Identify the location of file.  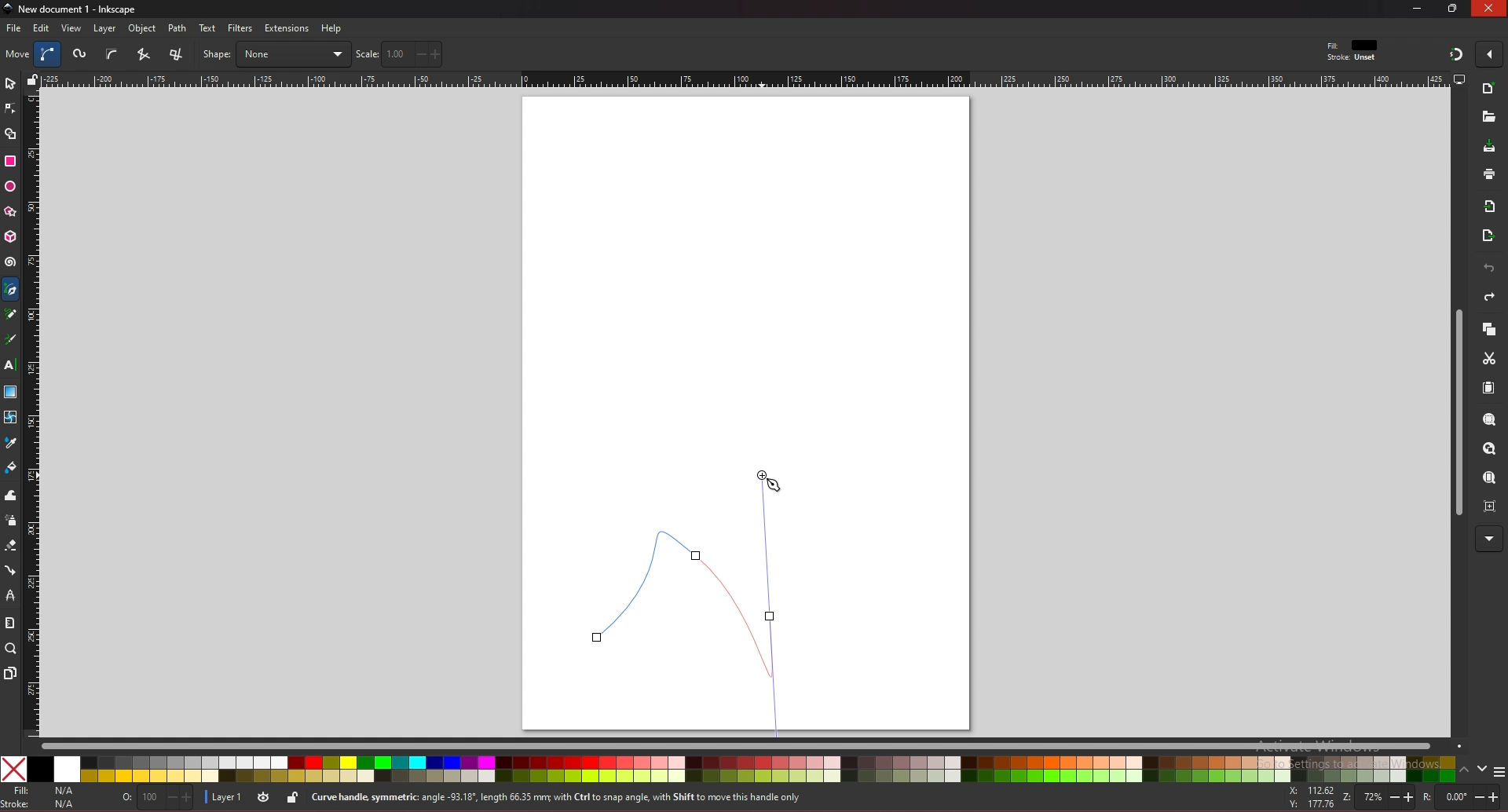
(13, 28).